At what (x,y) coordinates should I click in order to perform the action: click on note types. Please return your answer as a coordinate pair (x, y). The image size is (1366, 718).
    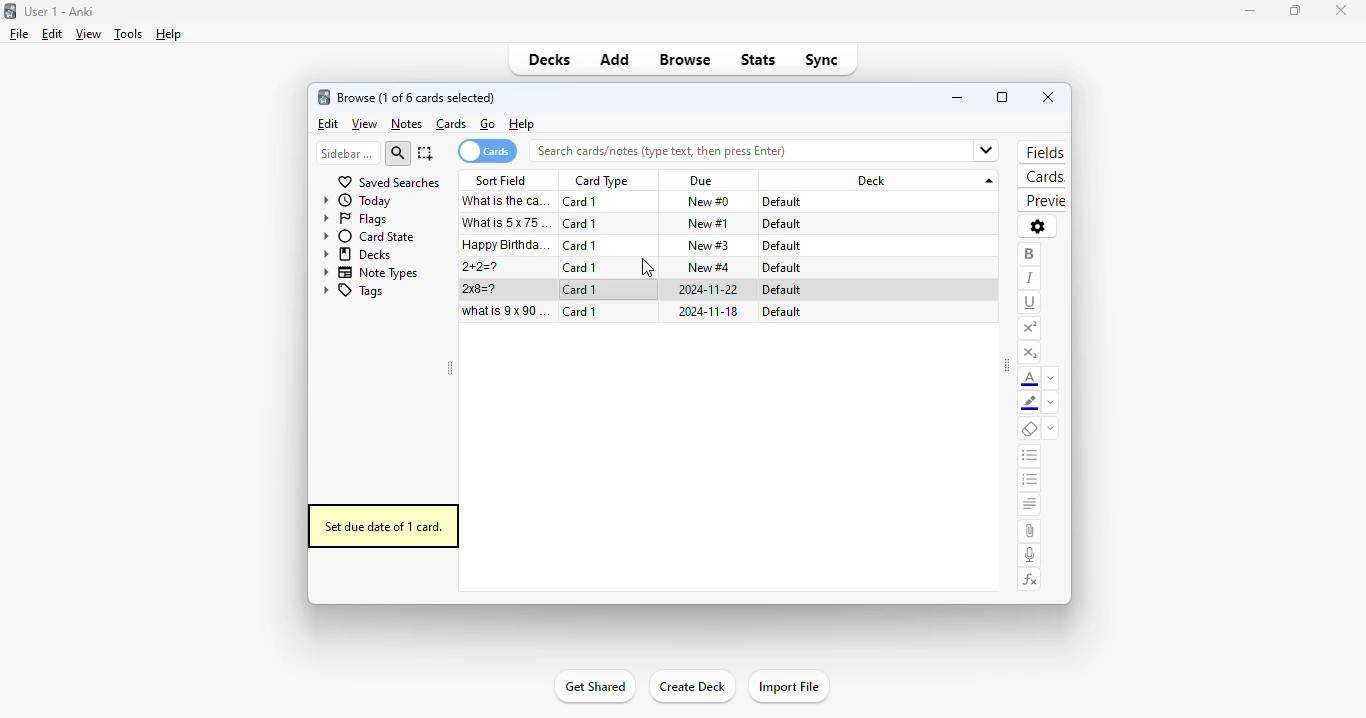
    Looking at the image, I should click on (372, 272).